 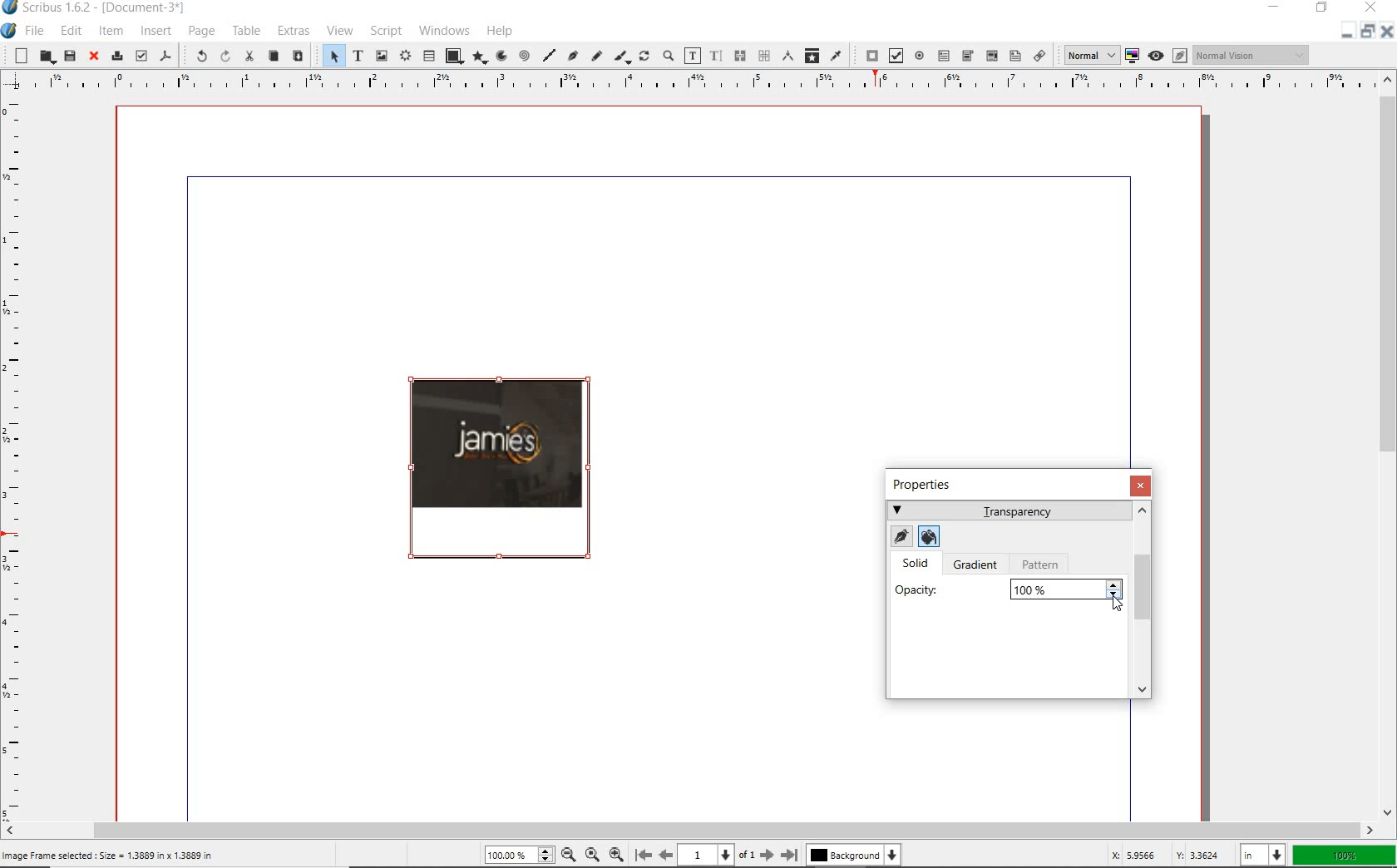 I want to click on preview mode, so click(x=1168, y=55).